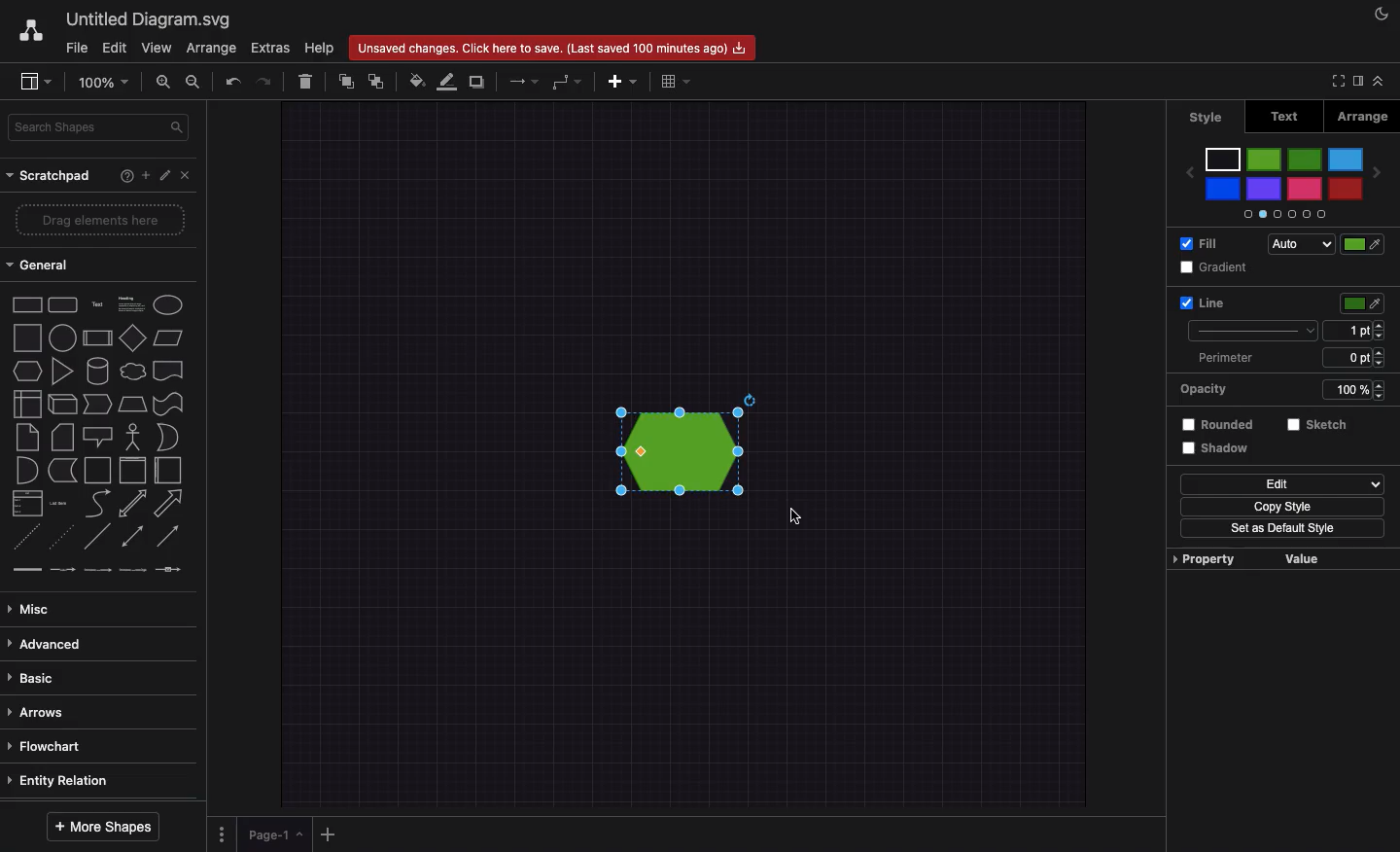 The height and width of the screenshot is (852, 1400). What do you see at coordinates (164, 83) in the screenshot?
I see `Zoom in` at bounding box center [164, 83].